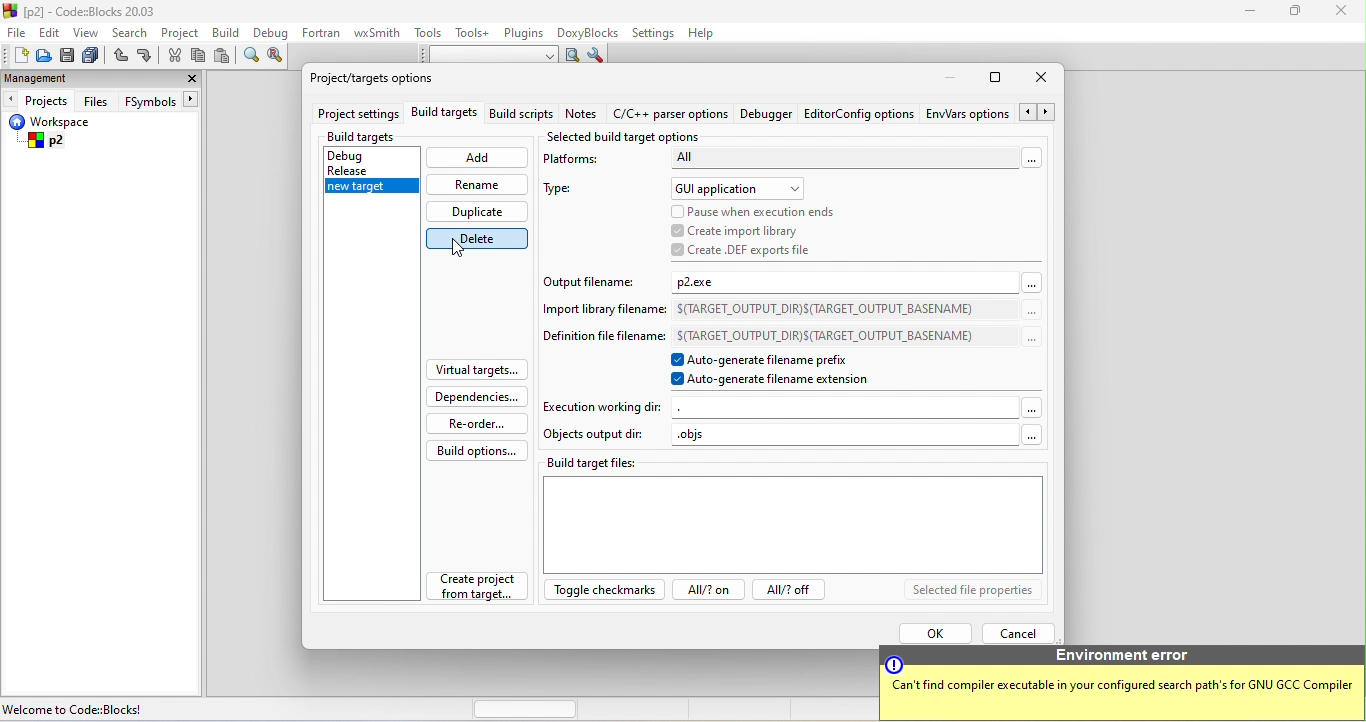  Describe the element at coordinates (385, 82) in the screenshot. I see `project/target option` at that location.